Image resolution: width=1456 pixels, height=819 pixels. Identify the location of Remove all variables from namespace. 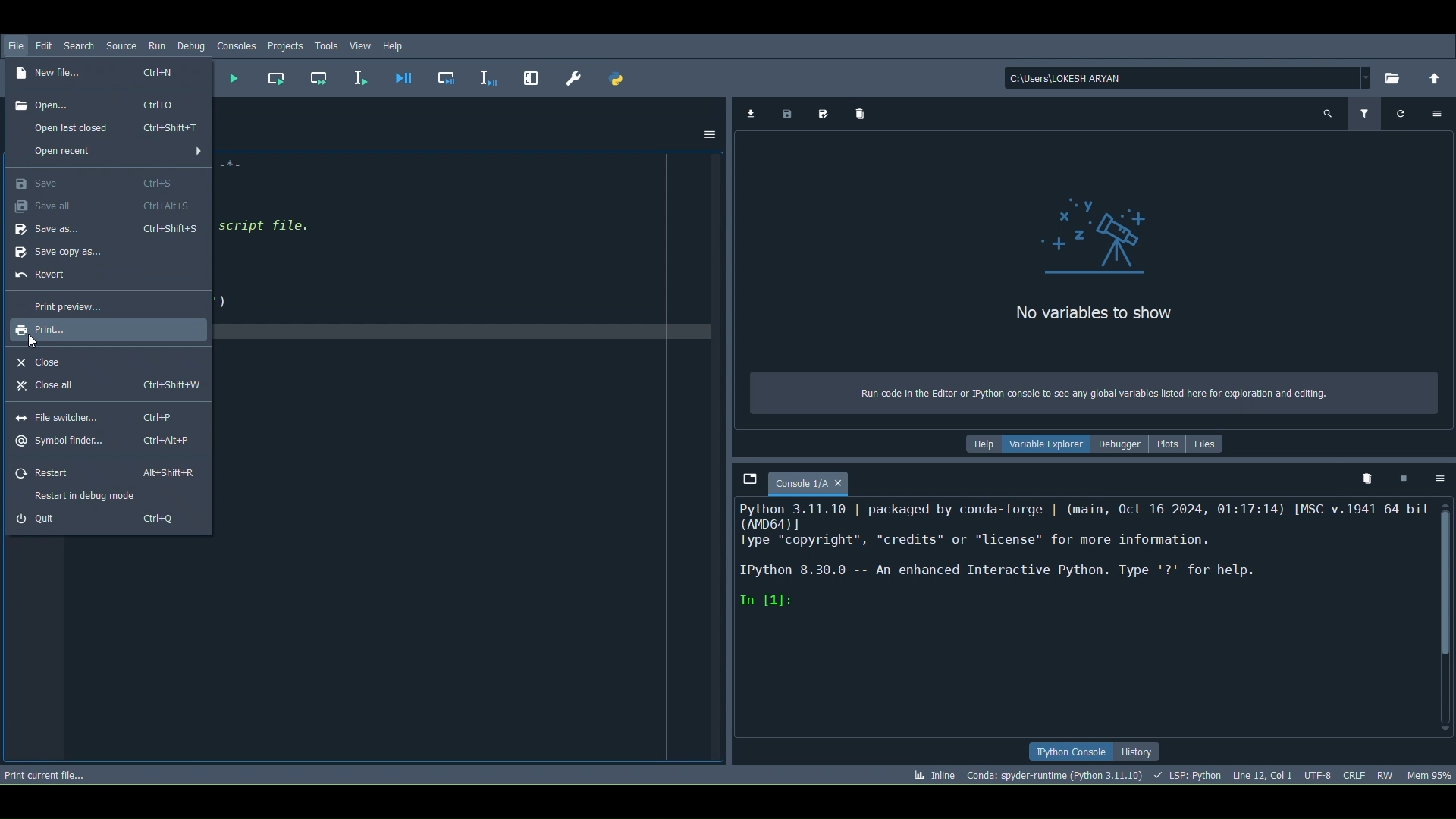
(1363, 478).